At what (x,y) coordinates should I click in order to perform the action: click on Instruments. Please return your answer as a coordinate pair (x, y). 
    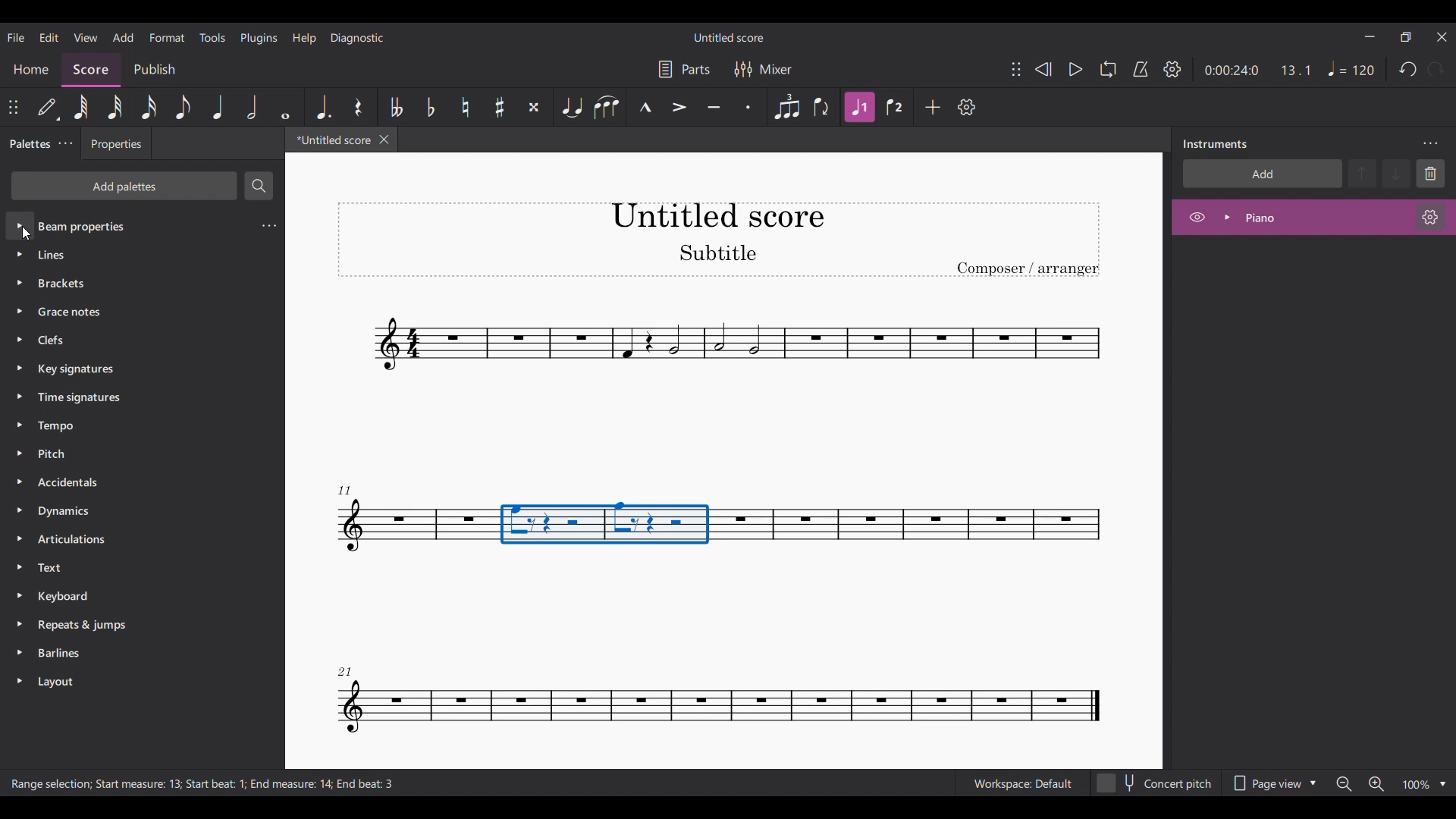
    Looking at the image, I should click on (1215, 144).